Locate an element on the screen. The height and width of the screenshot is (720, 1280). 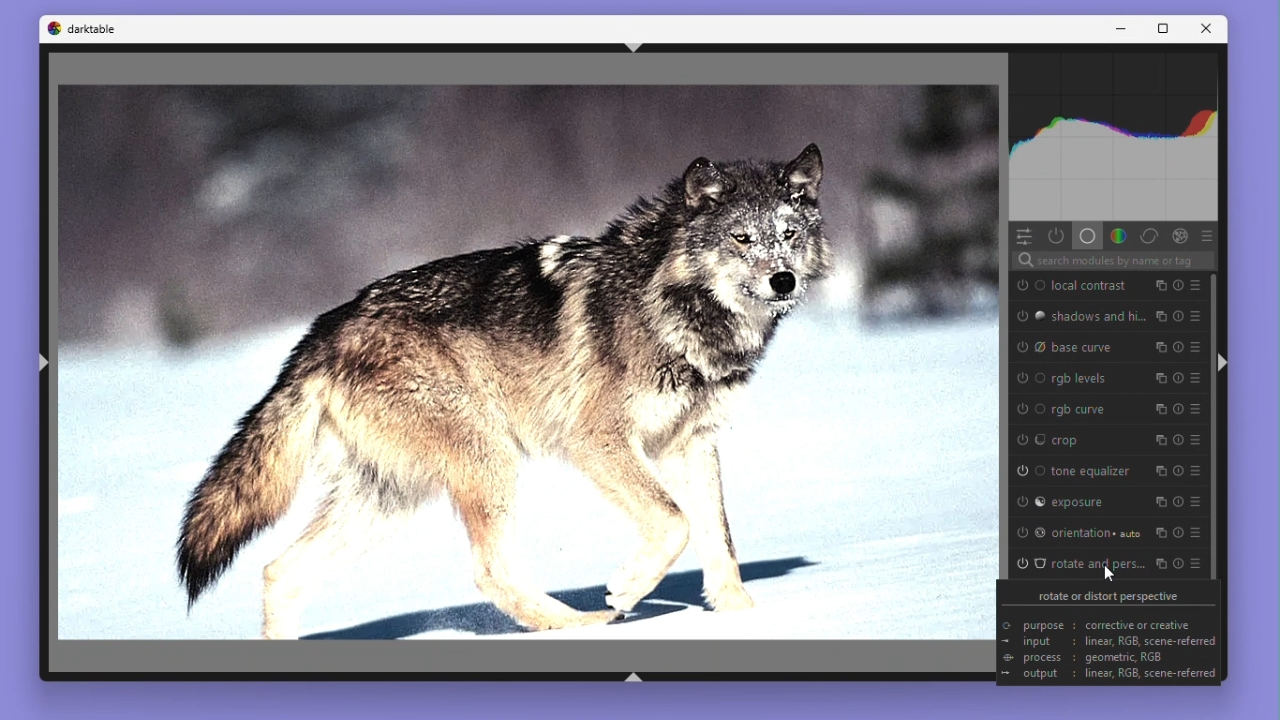
Effect is located at coordinates (1186, 234).